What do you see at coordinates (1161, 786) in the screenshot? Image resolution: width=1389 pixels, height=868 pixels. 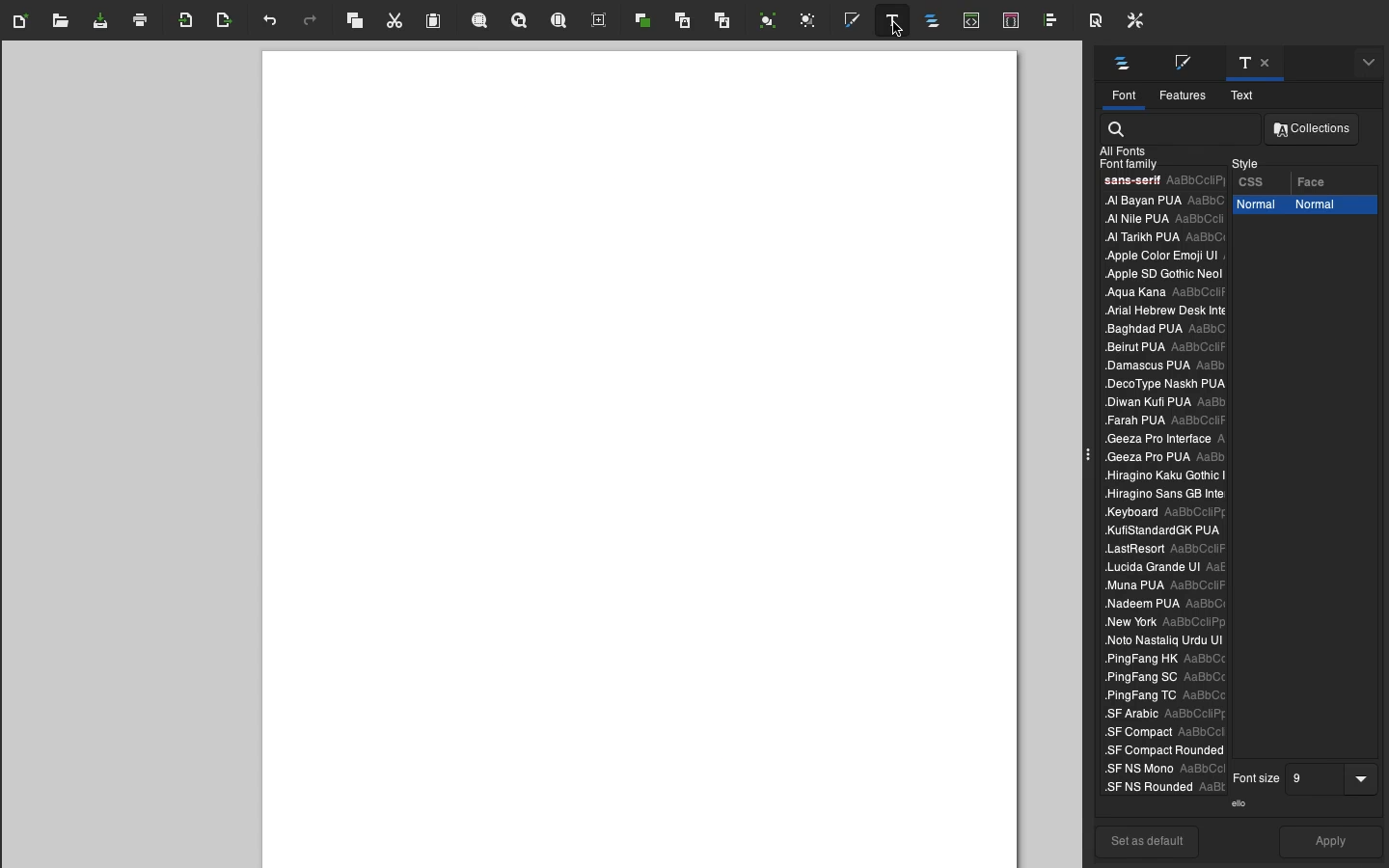 I see `.Sf NS Rounded` at bounding box center [1161, 786].